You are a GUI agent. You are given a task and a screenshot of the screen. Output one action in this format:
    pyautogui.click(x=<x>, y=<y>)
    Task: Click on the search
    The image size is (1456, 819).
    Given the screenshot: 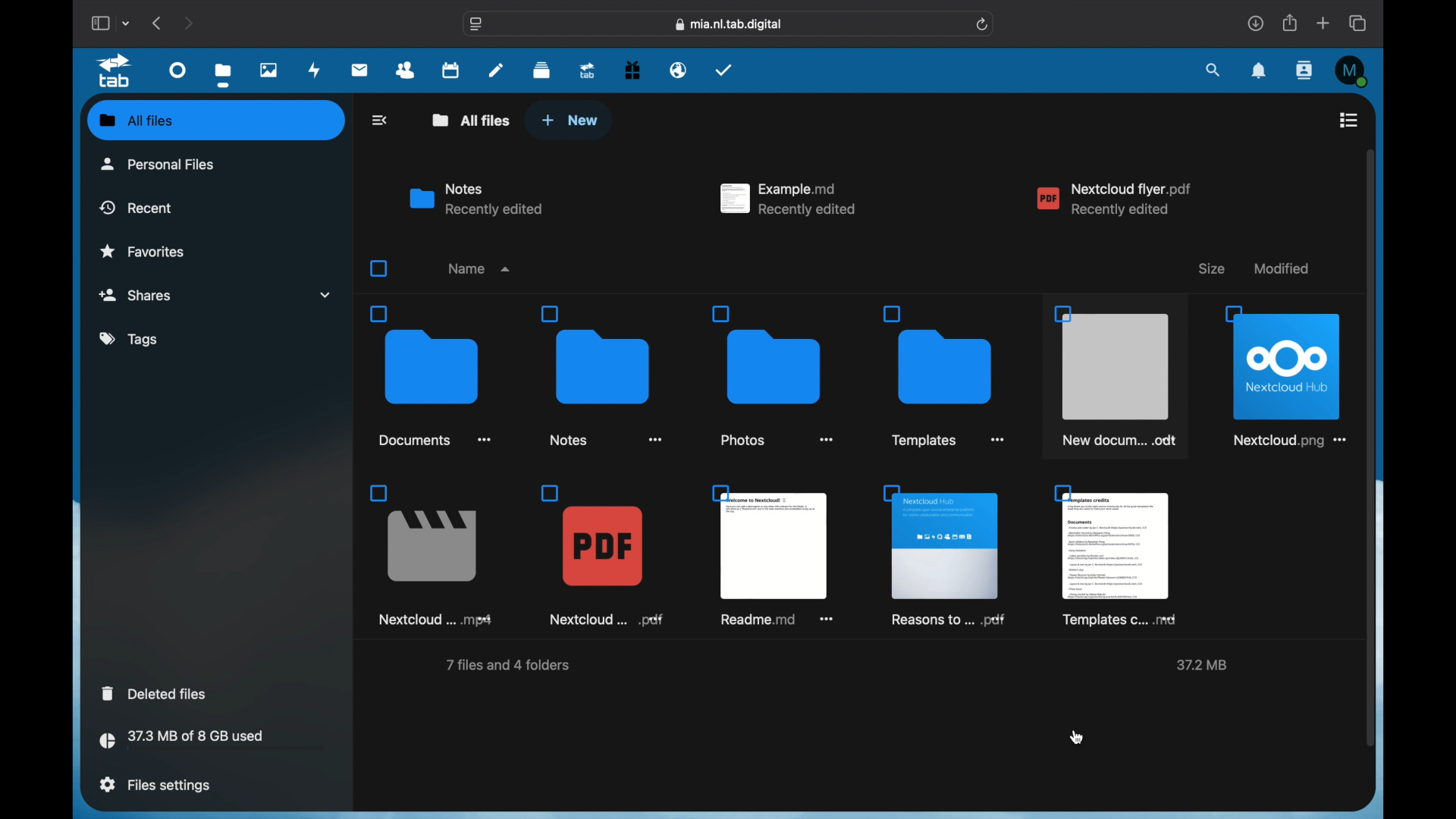 What is the action you would take?
    pyautogui.click(x=1214, y=71)
    